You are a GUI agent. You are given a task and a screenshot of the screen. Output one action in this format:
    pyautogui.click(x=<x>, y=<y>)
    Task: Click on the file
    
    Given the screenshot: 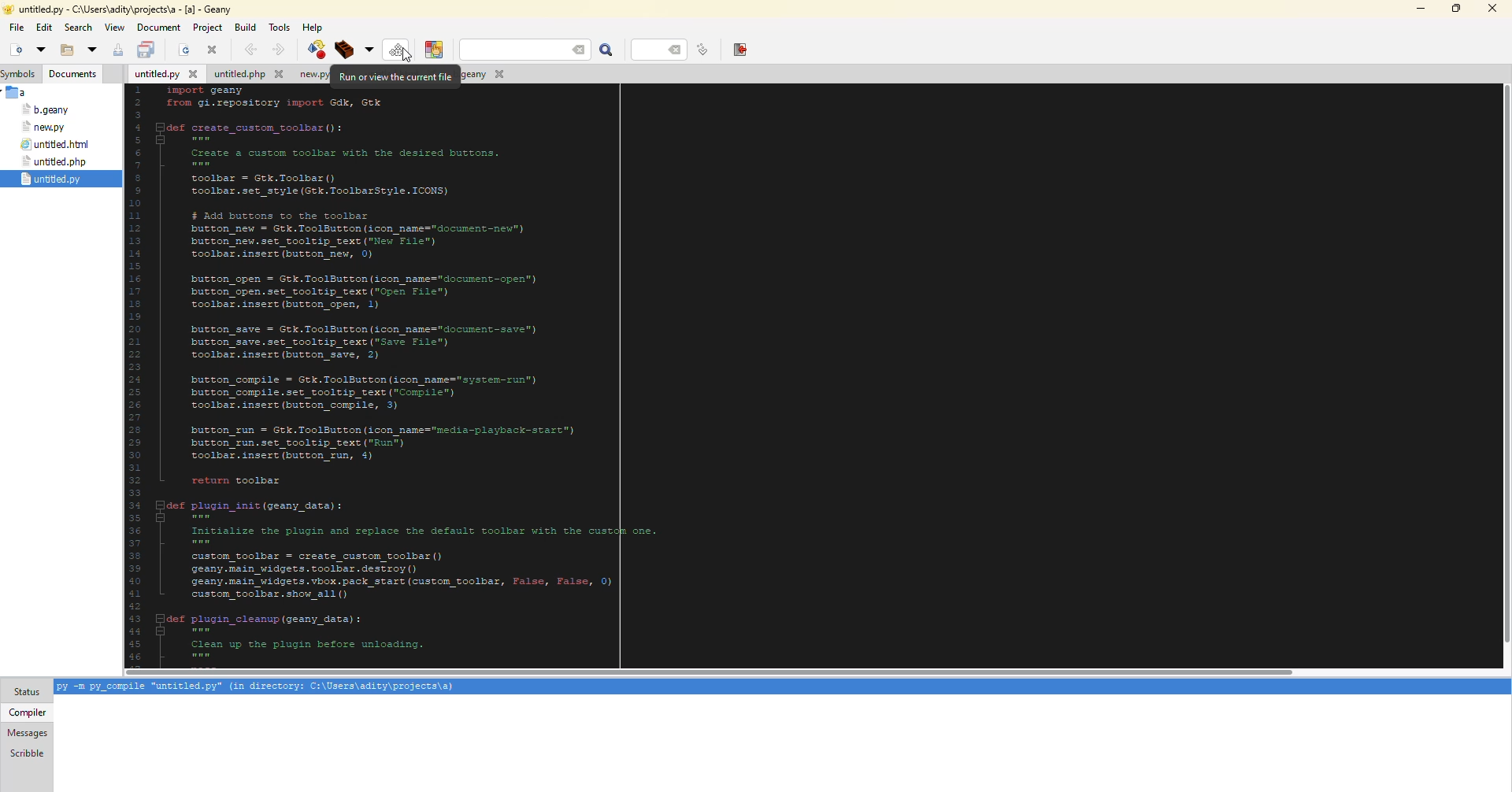 What is the action you would take?
    pyautogui.click(x=53, y=179)
    